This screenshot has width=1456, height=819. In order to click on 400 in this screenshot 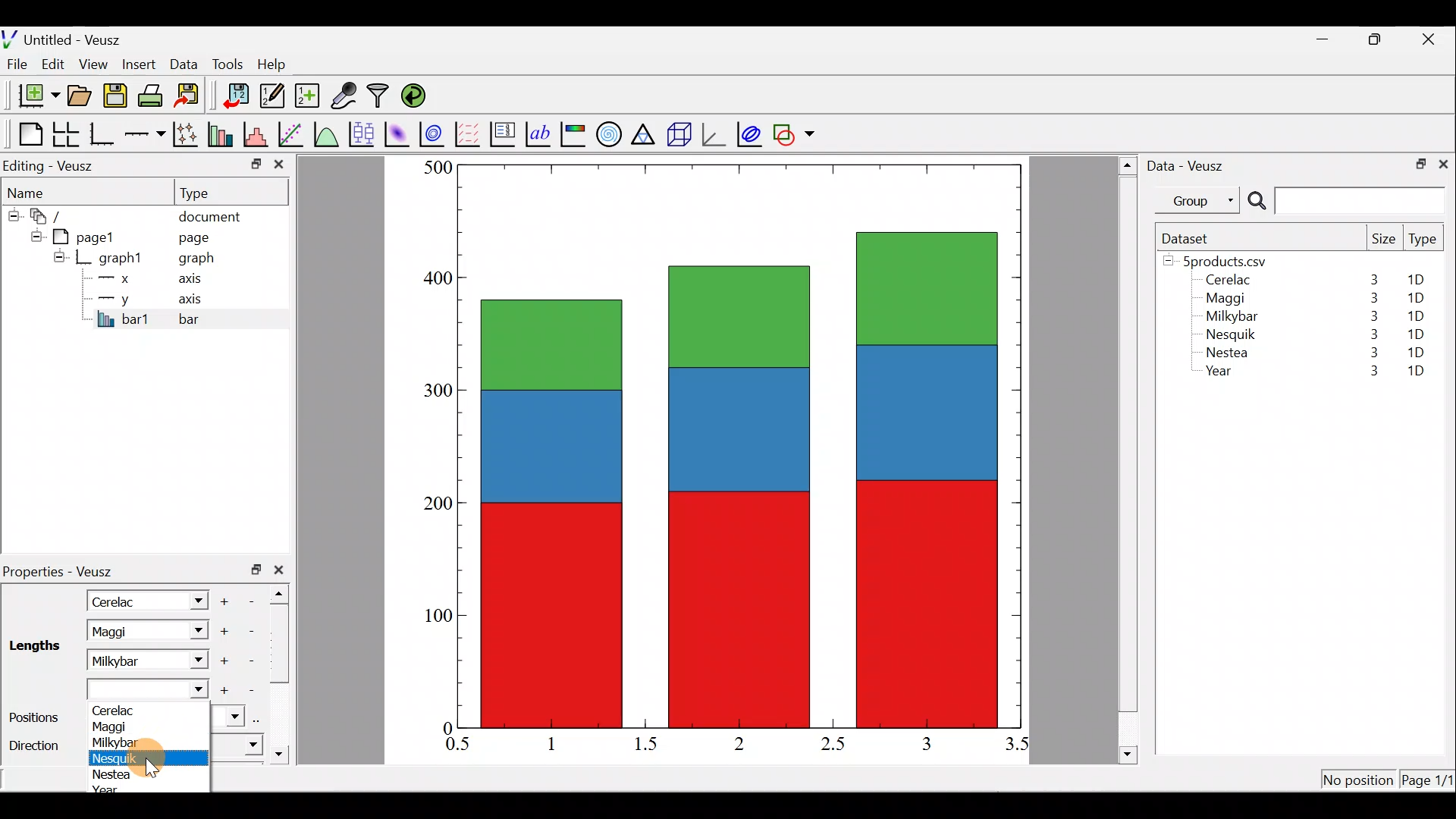, I will do `click(432, 279)`.